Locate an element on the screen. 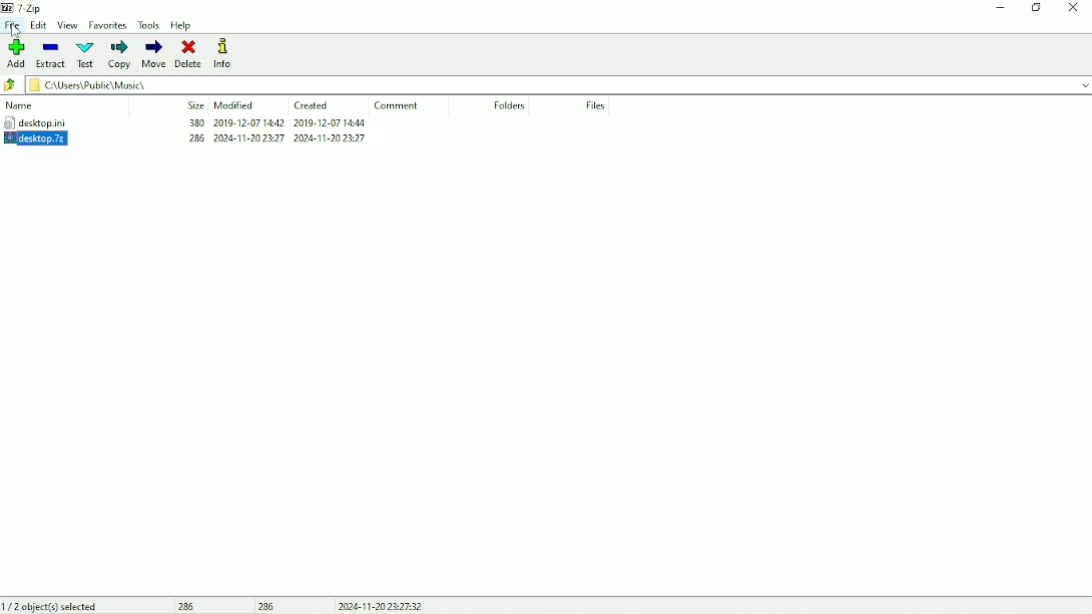 The image size is (1092, 614). Created is located at coordinates (312, 106).